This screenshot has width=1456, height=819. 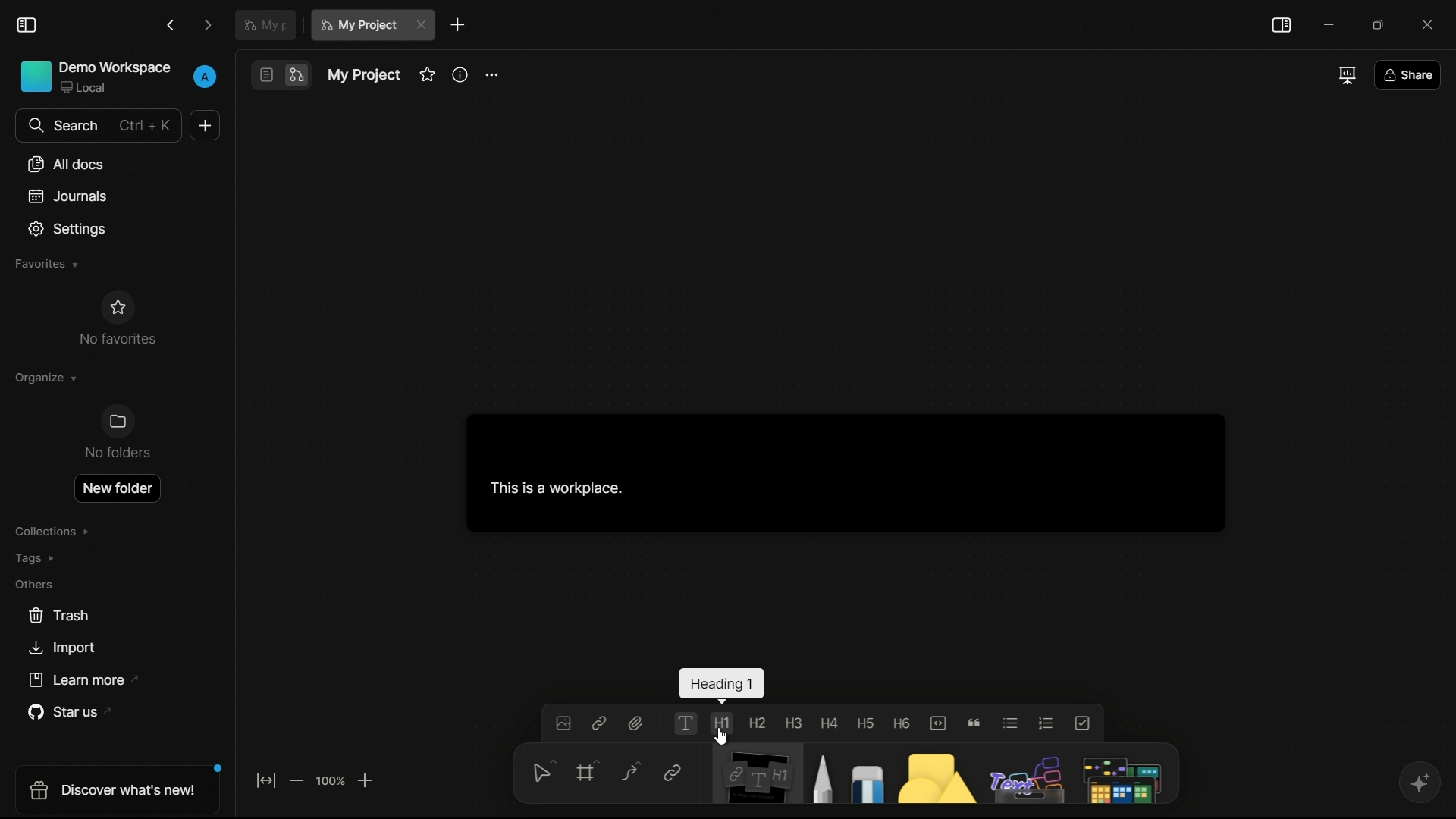 I want to click on heading 1, so click(x=723, y=724).